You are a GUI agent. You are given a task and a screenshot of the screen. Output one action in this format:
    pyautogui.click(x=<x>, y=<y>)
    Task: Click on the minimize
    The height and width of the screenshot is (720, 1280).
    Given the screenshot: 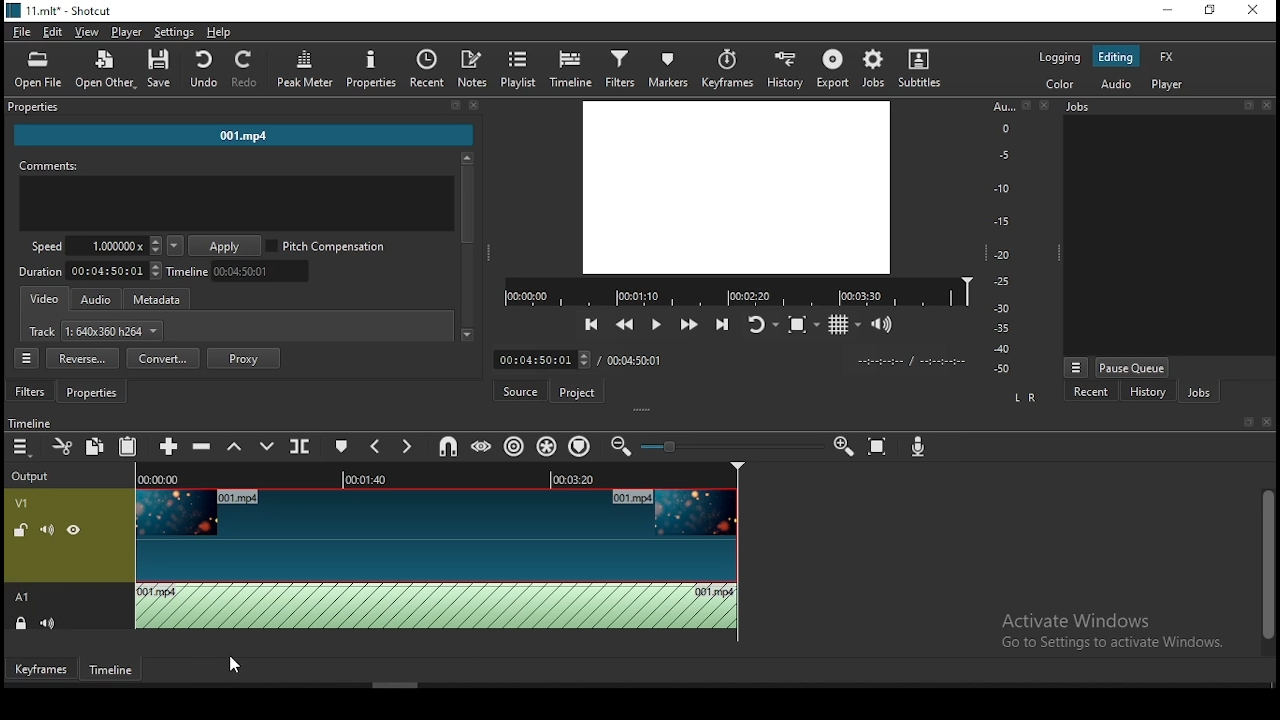 What is the action you would take?
    pyautogui.click(x=1166, y=11)
    